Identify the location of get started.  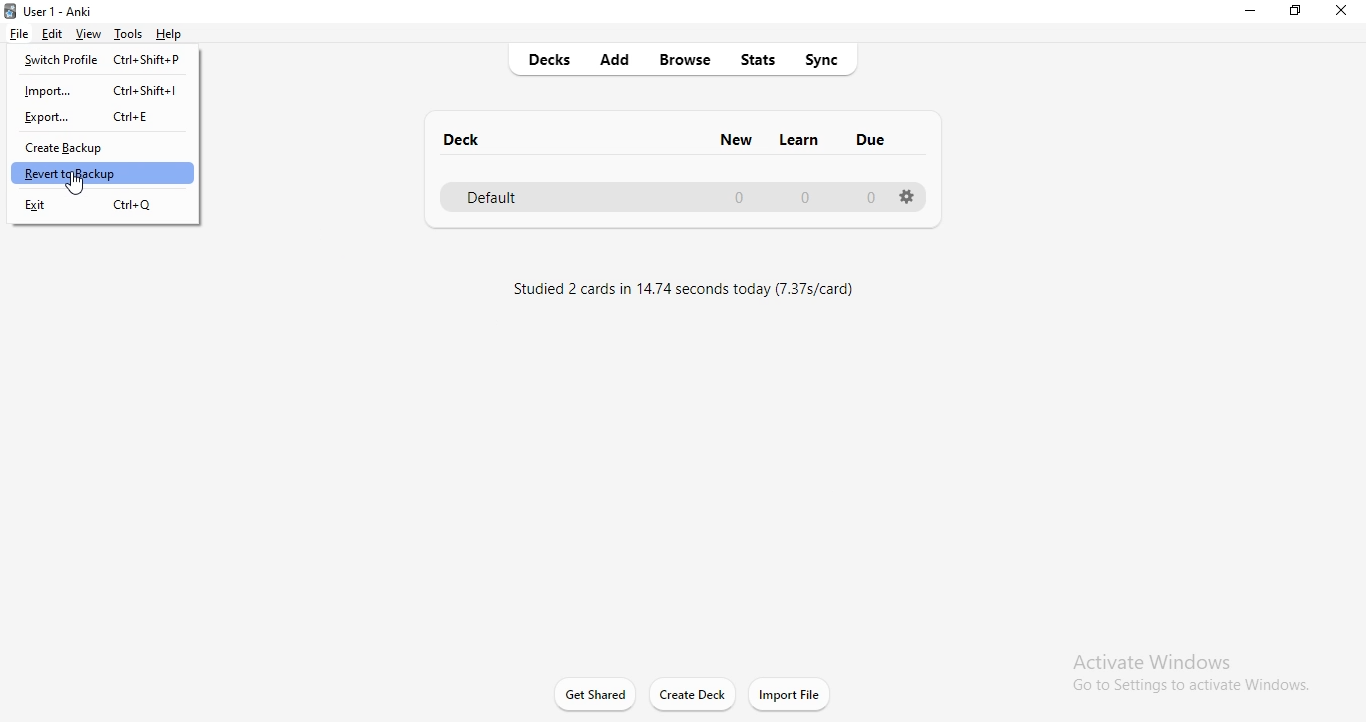
(594, 692).